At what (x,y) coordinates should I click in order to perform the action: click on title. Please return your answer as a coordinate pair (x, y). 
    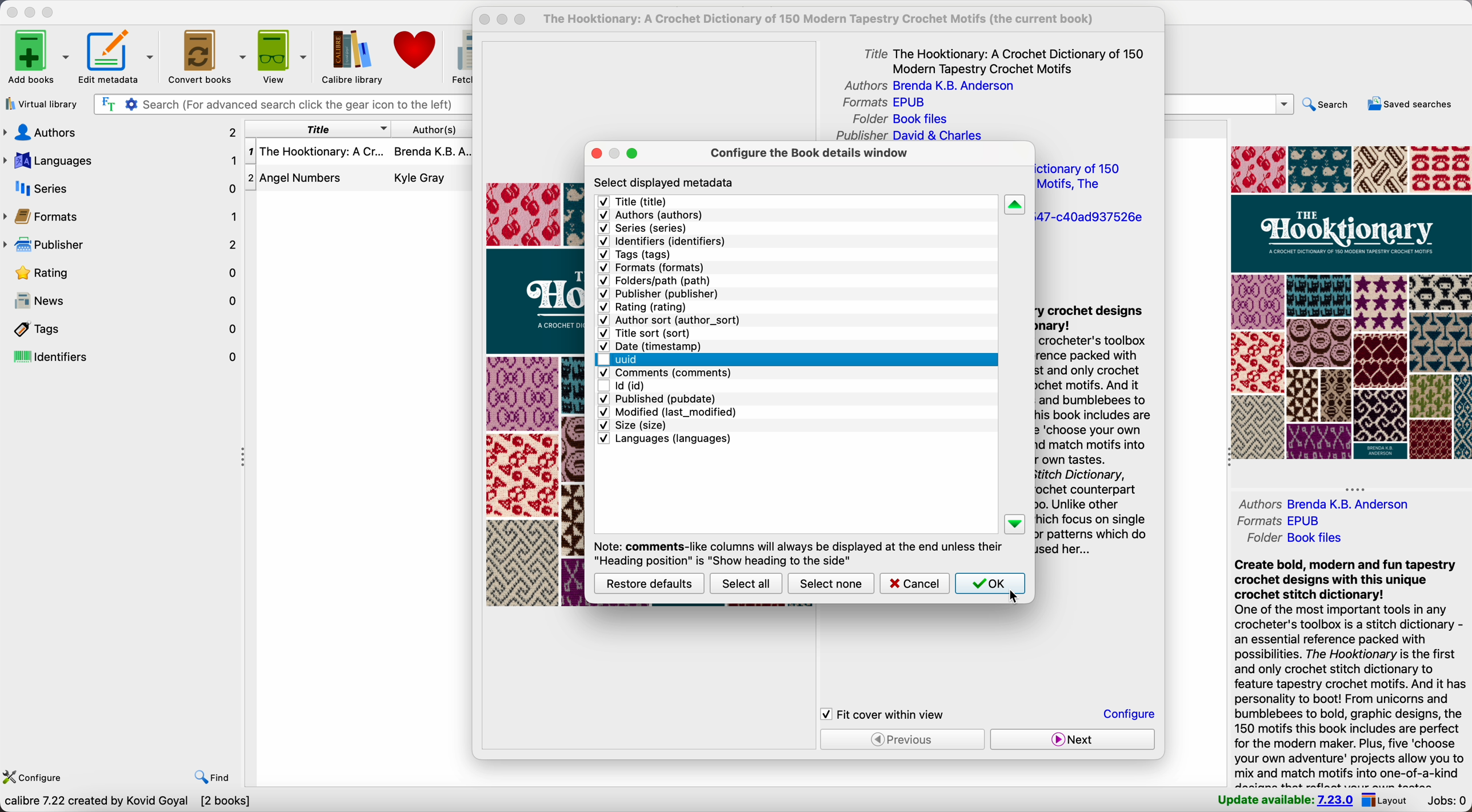
    Looking at the image, I should click on (643, 201).